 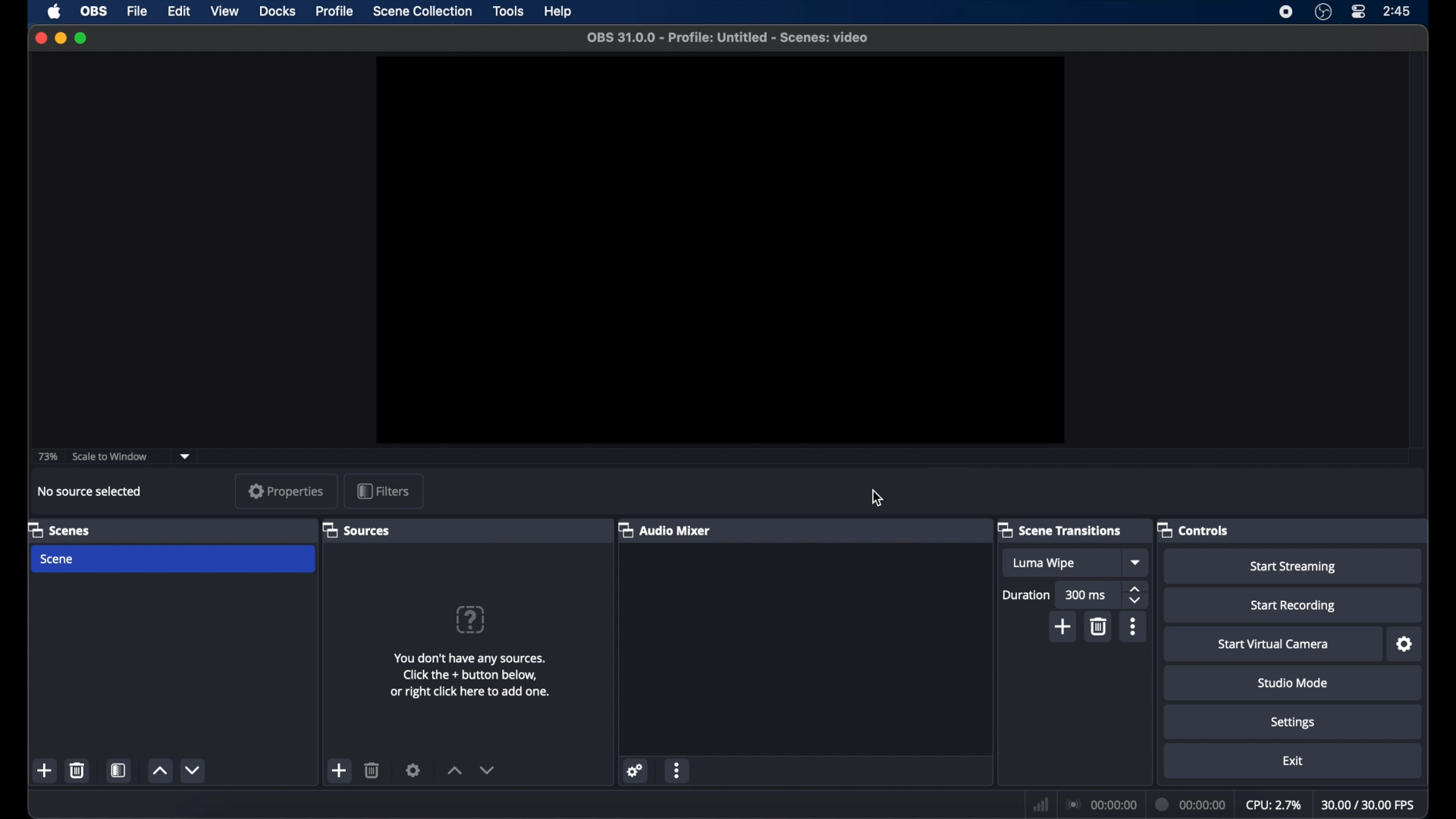 What do you see at coordinates (469, 675) in the screenshot?
I see `add sources information` at bounding box center [469, 675].